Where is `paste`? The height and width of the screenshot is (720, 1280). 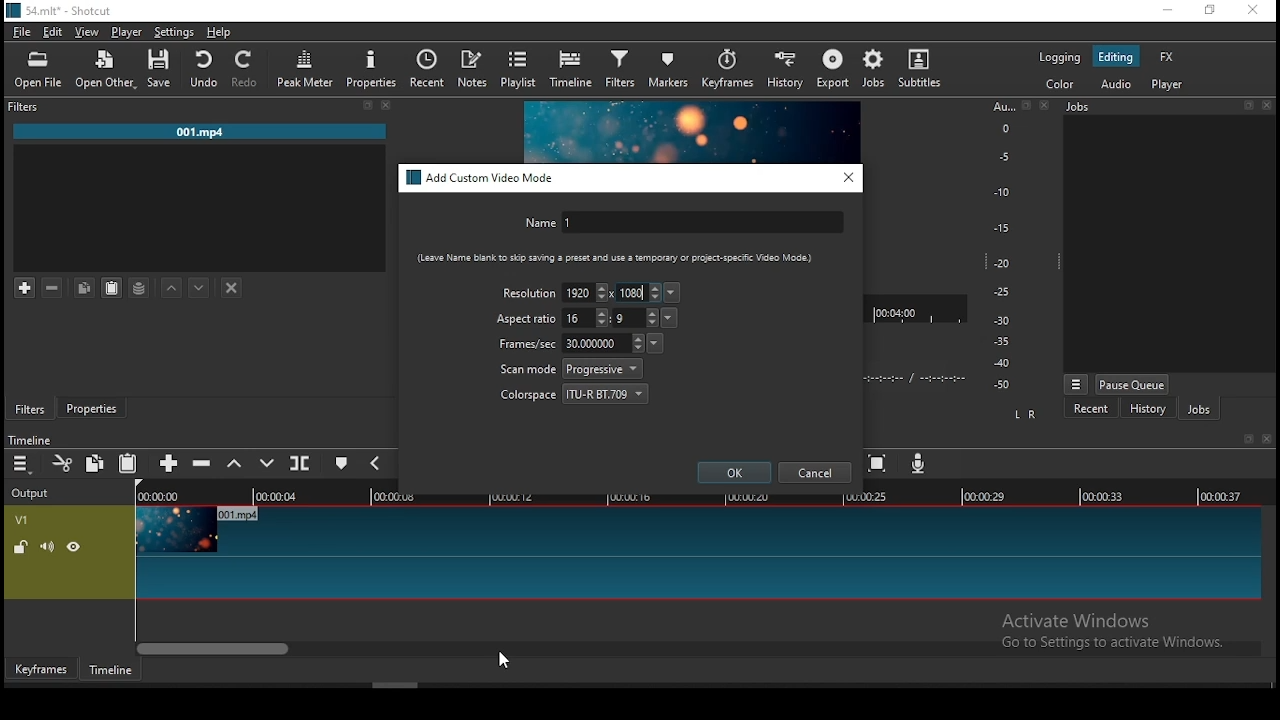
paste is located at coordinates (129, 464).